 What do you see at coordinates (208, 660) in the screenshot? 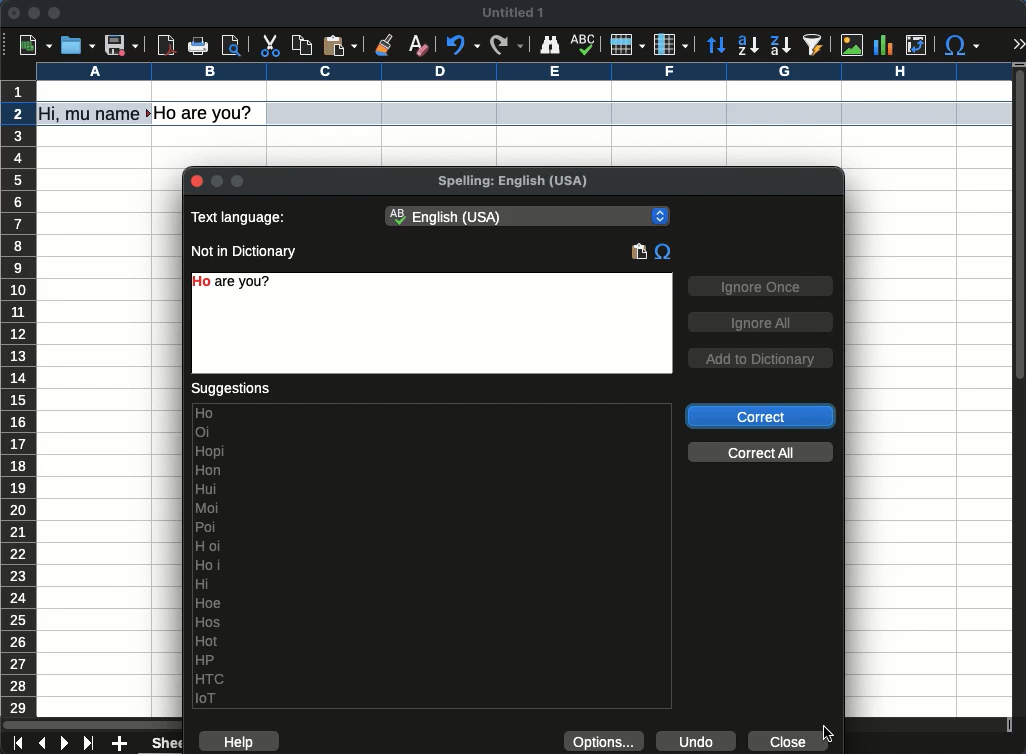
I see `HP` at bounding box center [208, 660].